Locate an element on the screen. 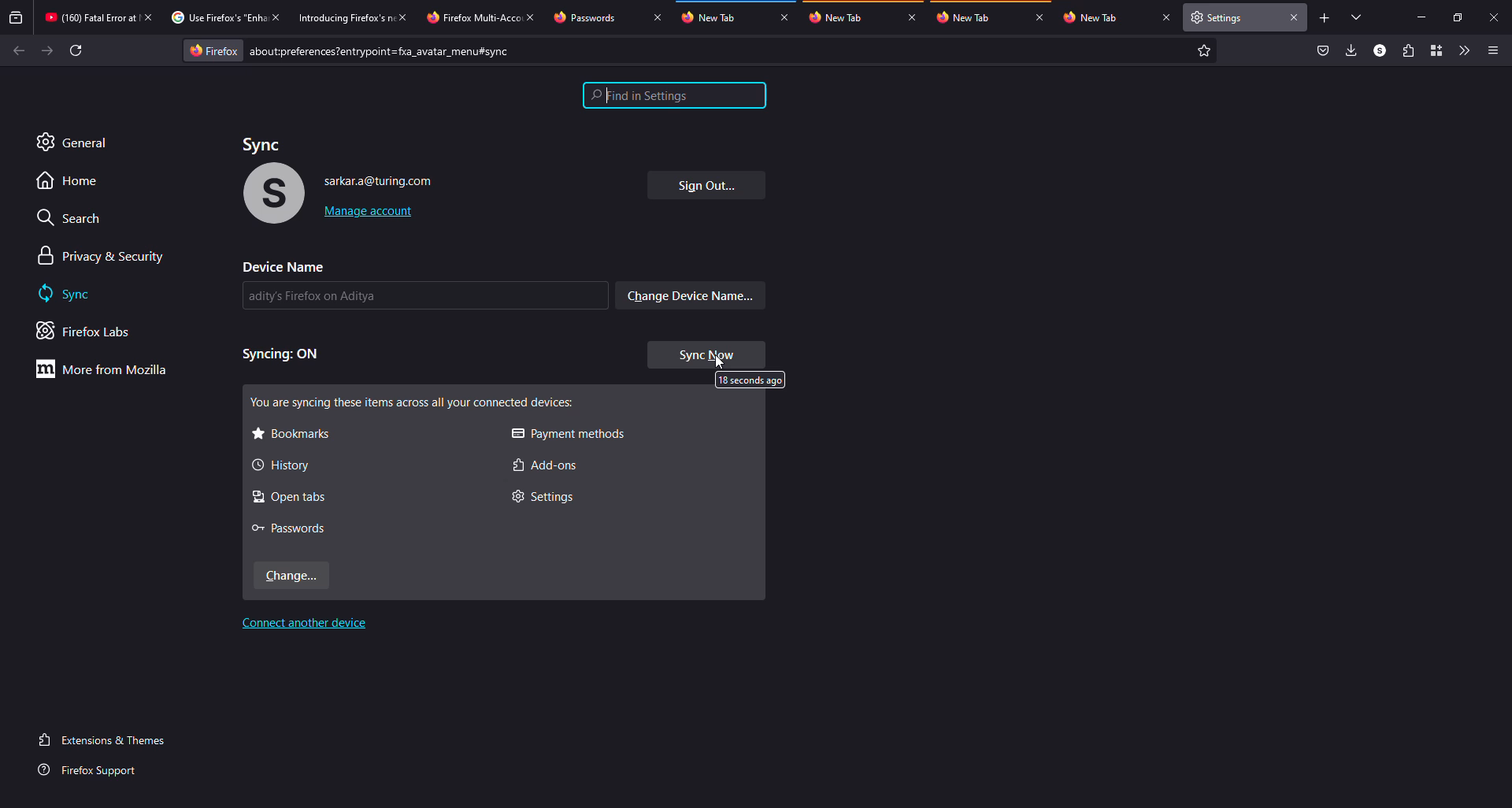  firefox labs is located at coordinates (90, 329).